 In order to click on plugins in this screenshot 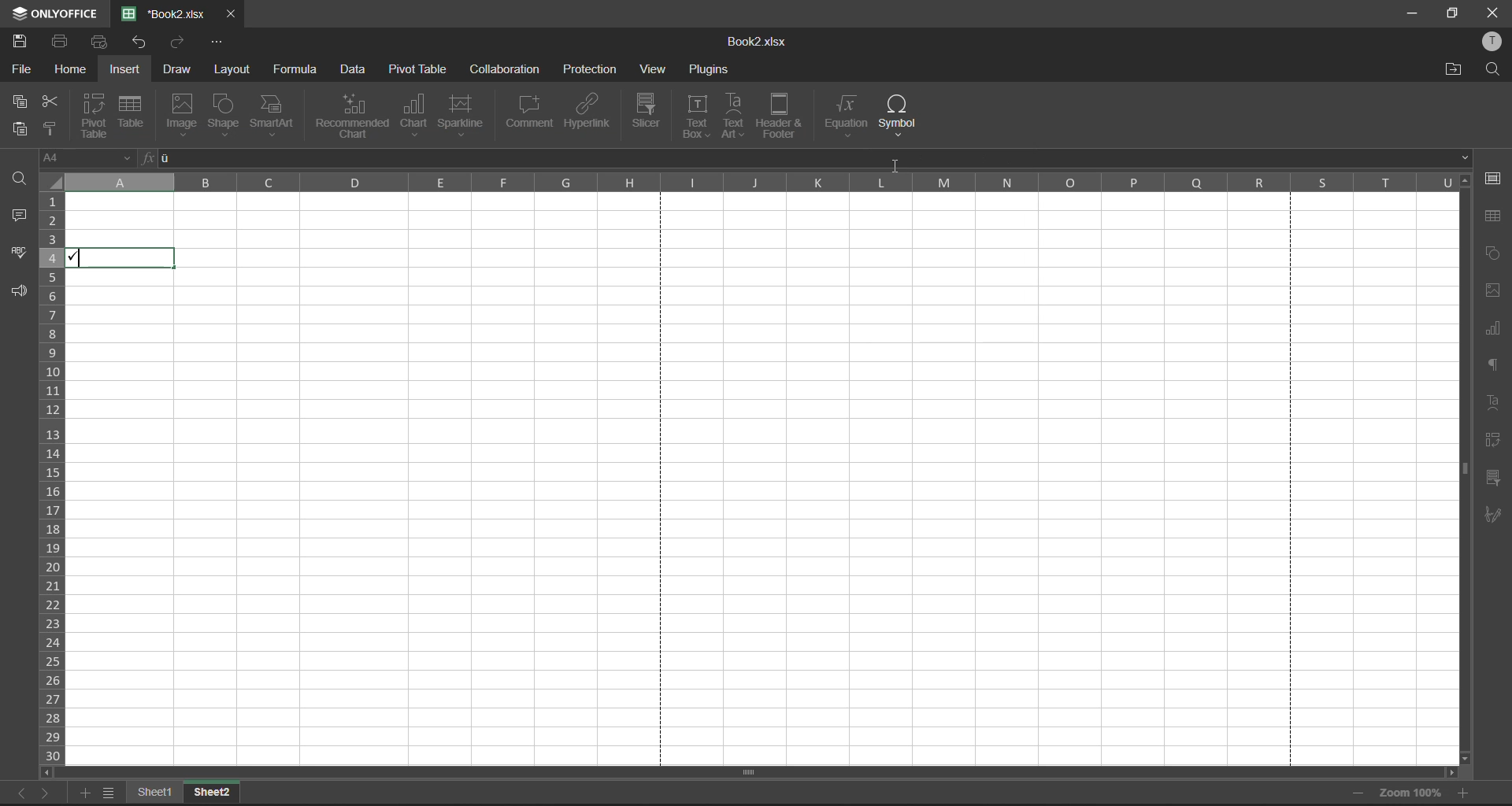, I will do `click(707, 70)`.